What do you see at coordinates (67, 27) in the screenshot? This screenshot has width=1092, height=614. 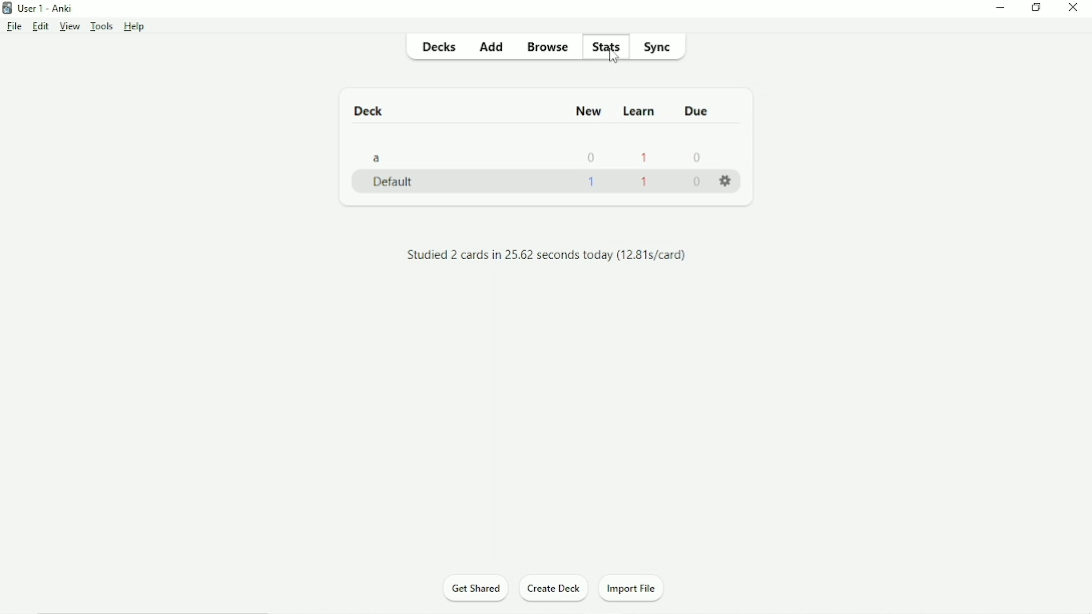 I see `View` at bounding box center [67, 27].